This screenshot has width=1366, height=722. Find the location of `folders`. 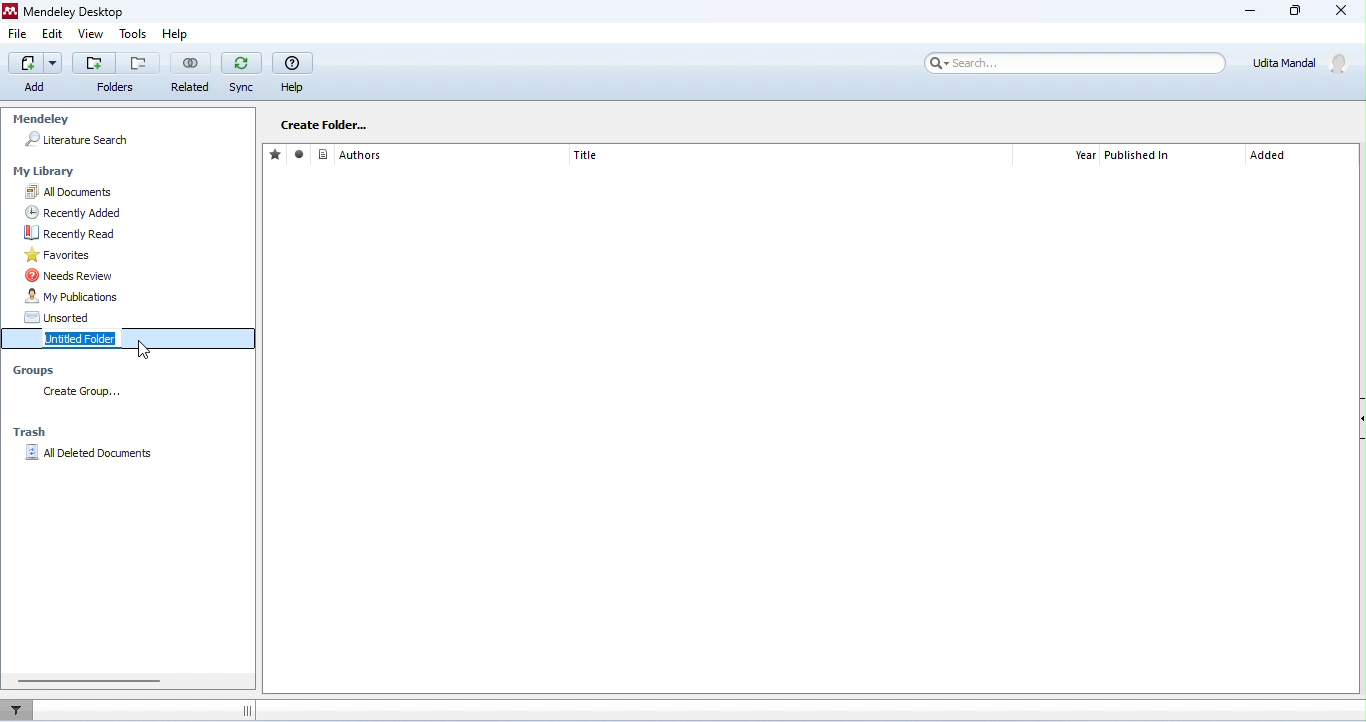

folders is located at coordinates (115, 87).